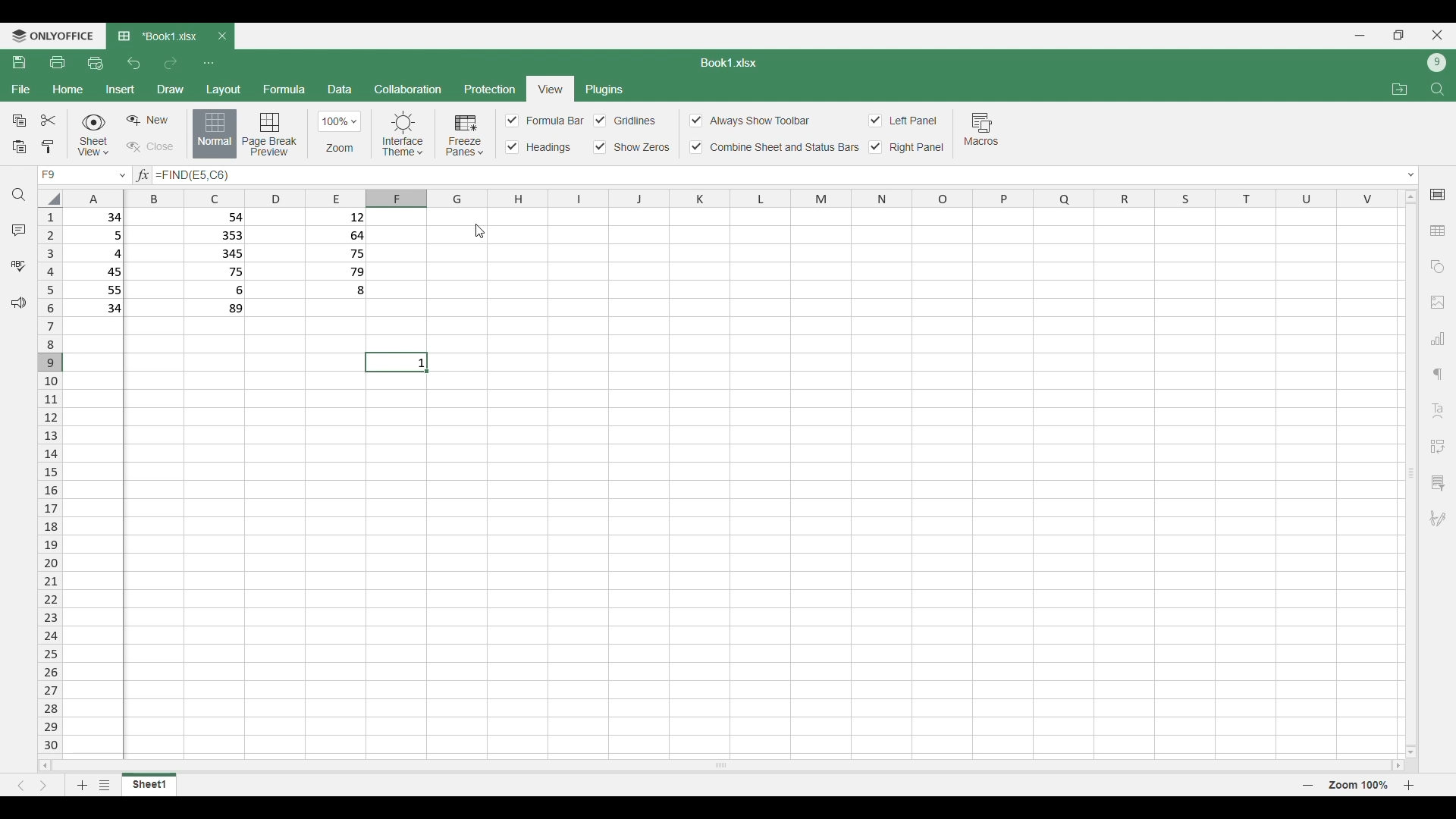 The width and height of the screenshot is (1456, 819). What do you see at coordinates (1439, 303) in the screenshot?
I see `Add image` at bounding box center [1439, 303].